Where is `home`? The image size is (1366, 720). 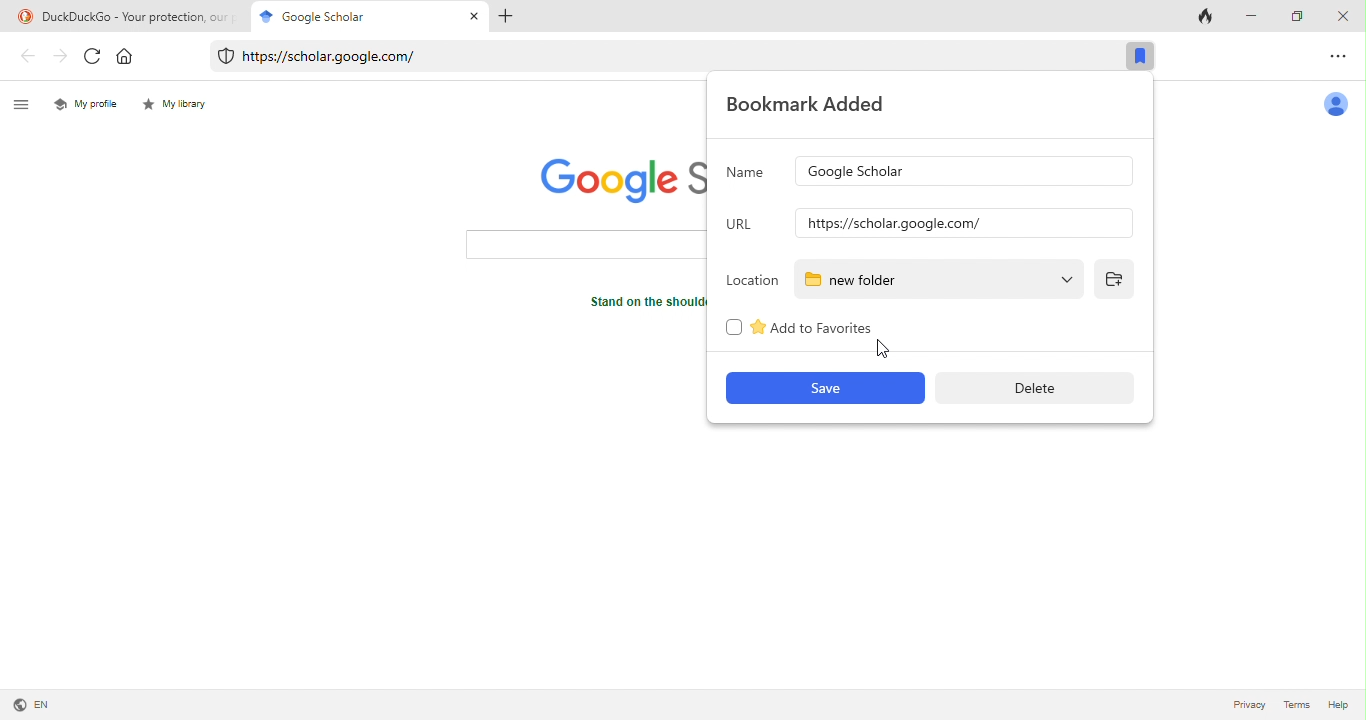 home is located at coordinates (133, 57).